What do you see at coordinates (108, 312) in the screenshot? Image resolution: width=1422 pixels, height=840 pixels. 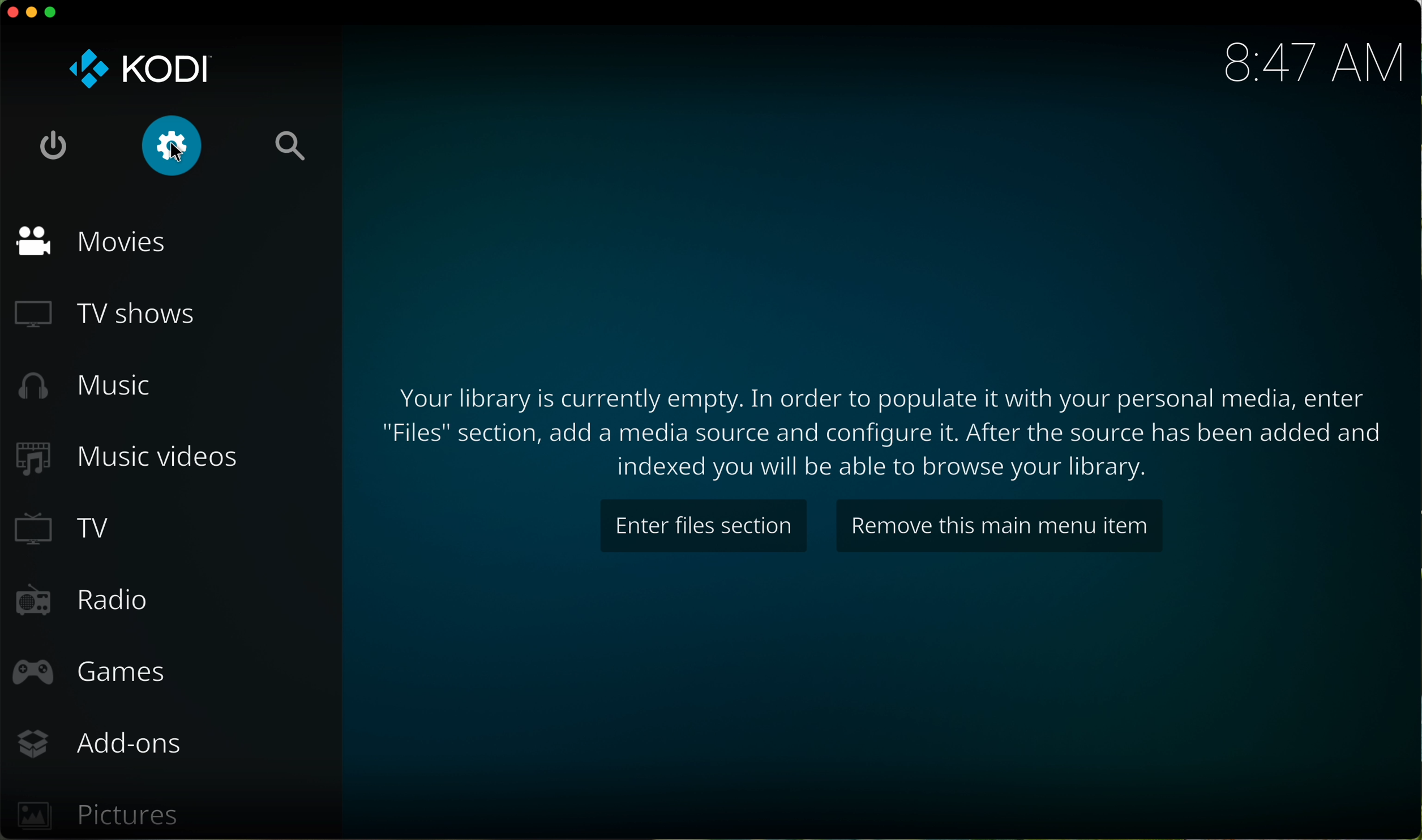 I see `TV shows` at bounding box center [108, 312].